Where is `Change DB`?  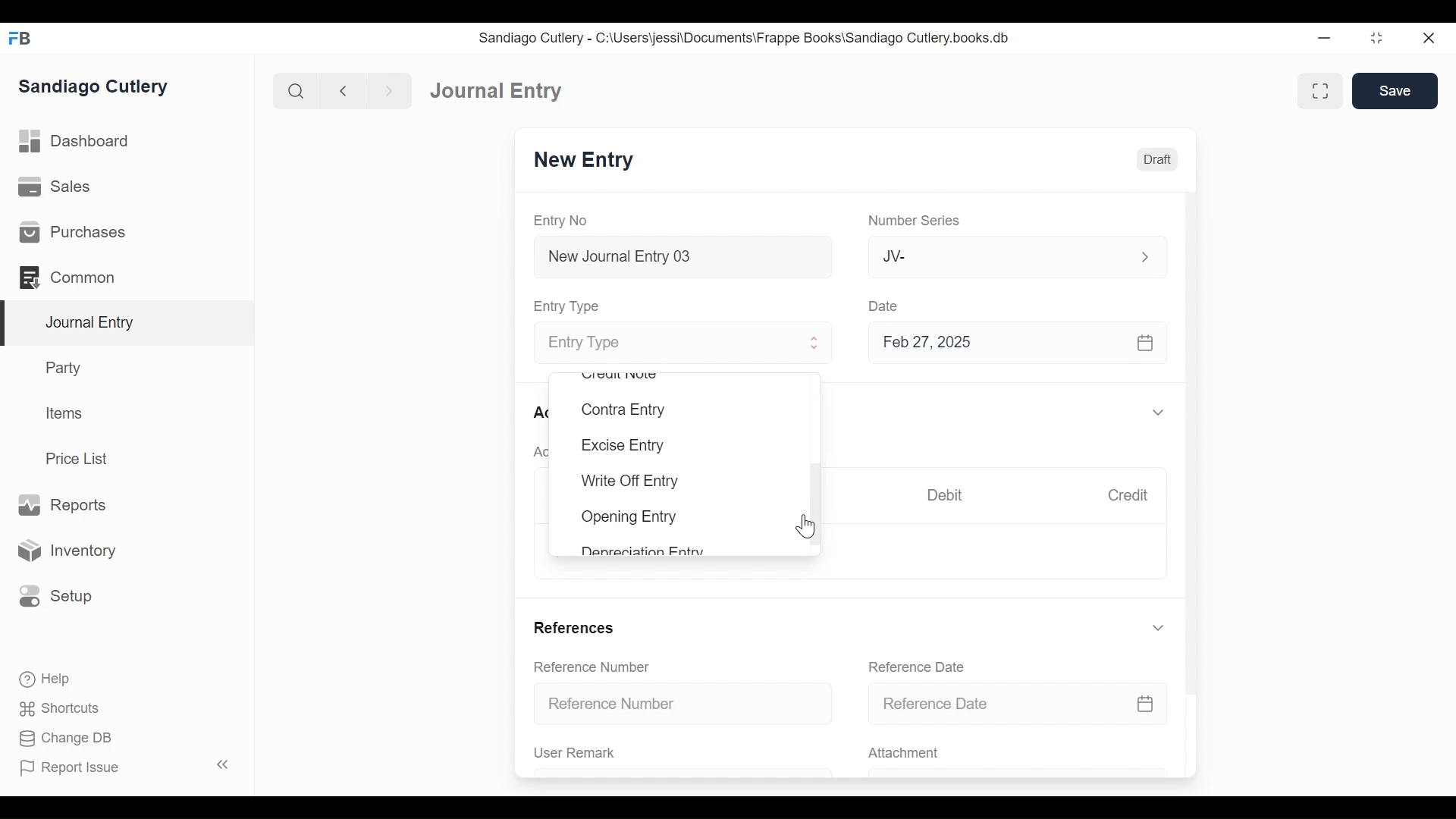 Change DB is located at coordinates (64, 739).